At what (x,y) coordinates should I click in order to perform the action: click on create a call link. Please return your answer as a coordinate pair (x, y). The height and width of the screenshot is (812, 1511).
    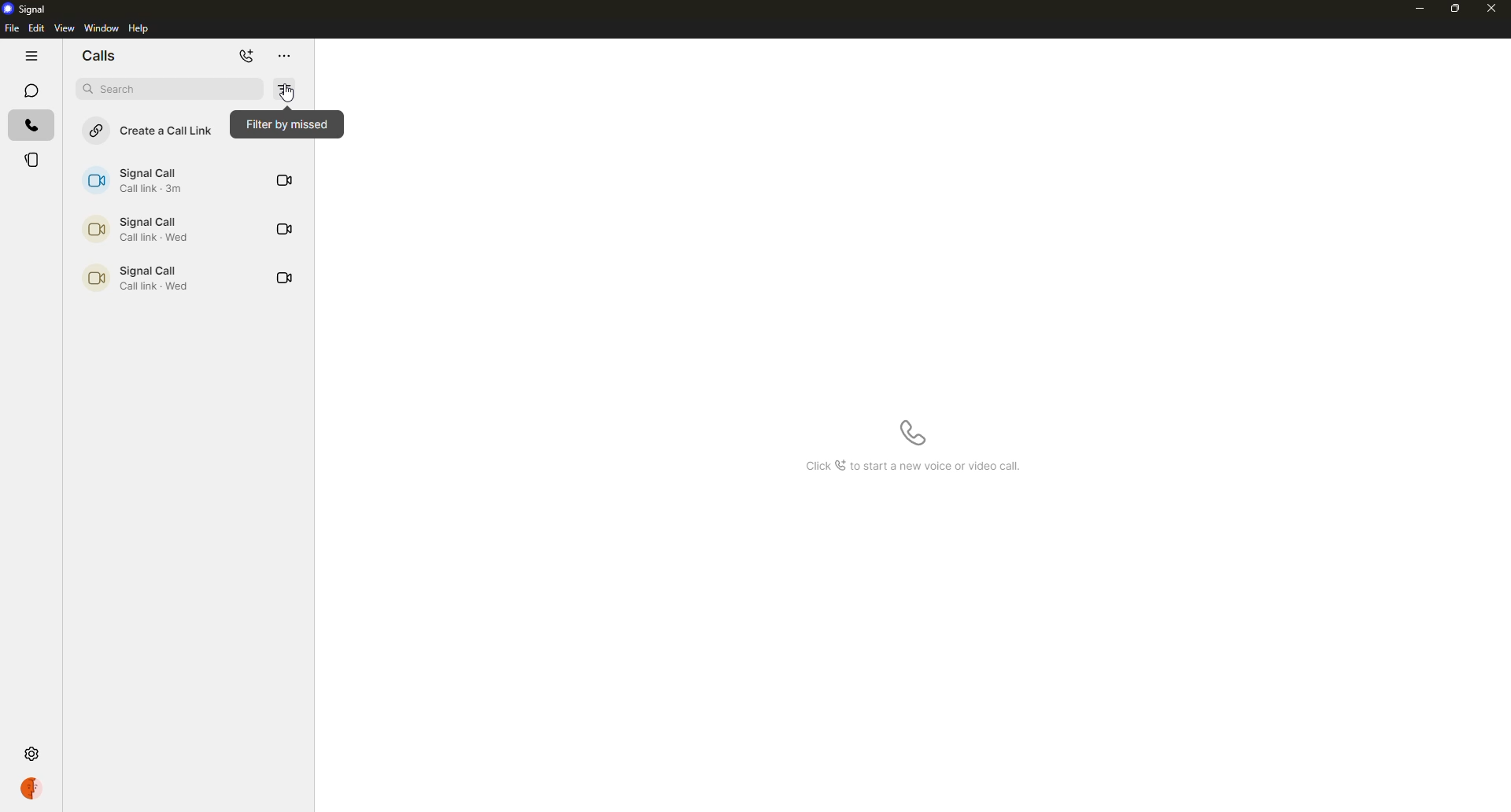
    Looking at the image, I should click on (153, 131).